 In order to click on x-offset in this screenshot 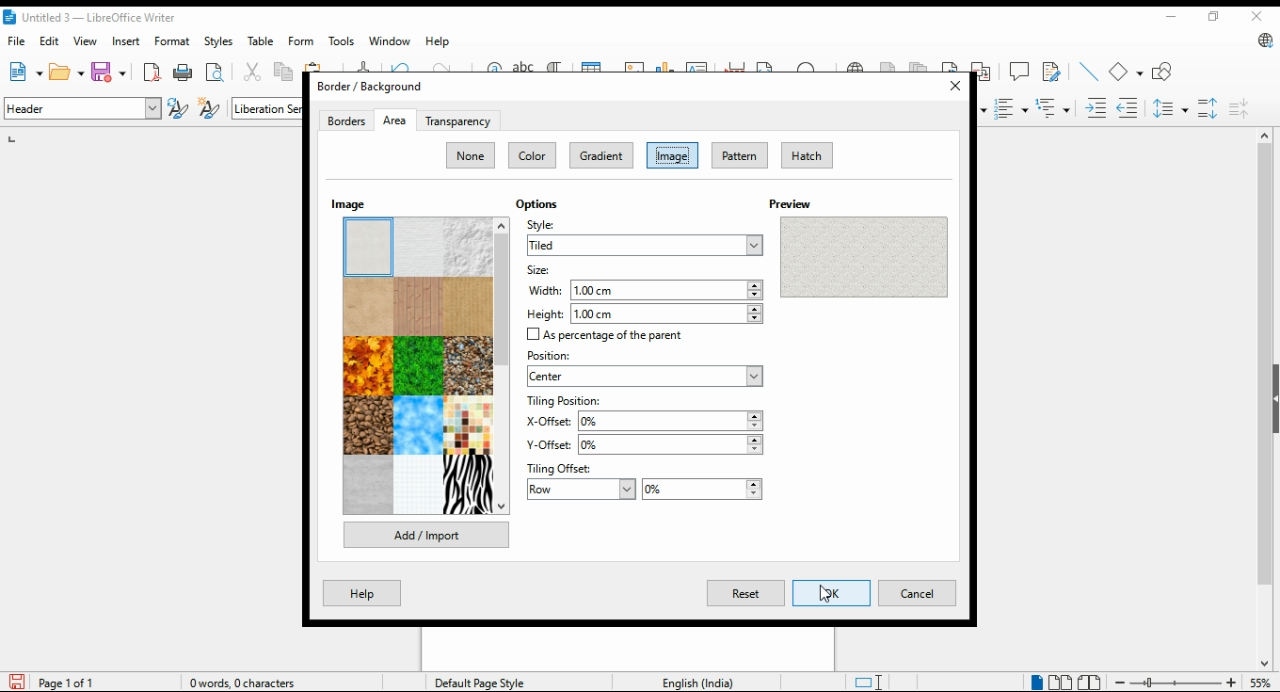, I will do `click(645, 421)`.